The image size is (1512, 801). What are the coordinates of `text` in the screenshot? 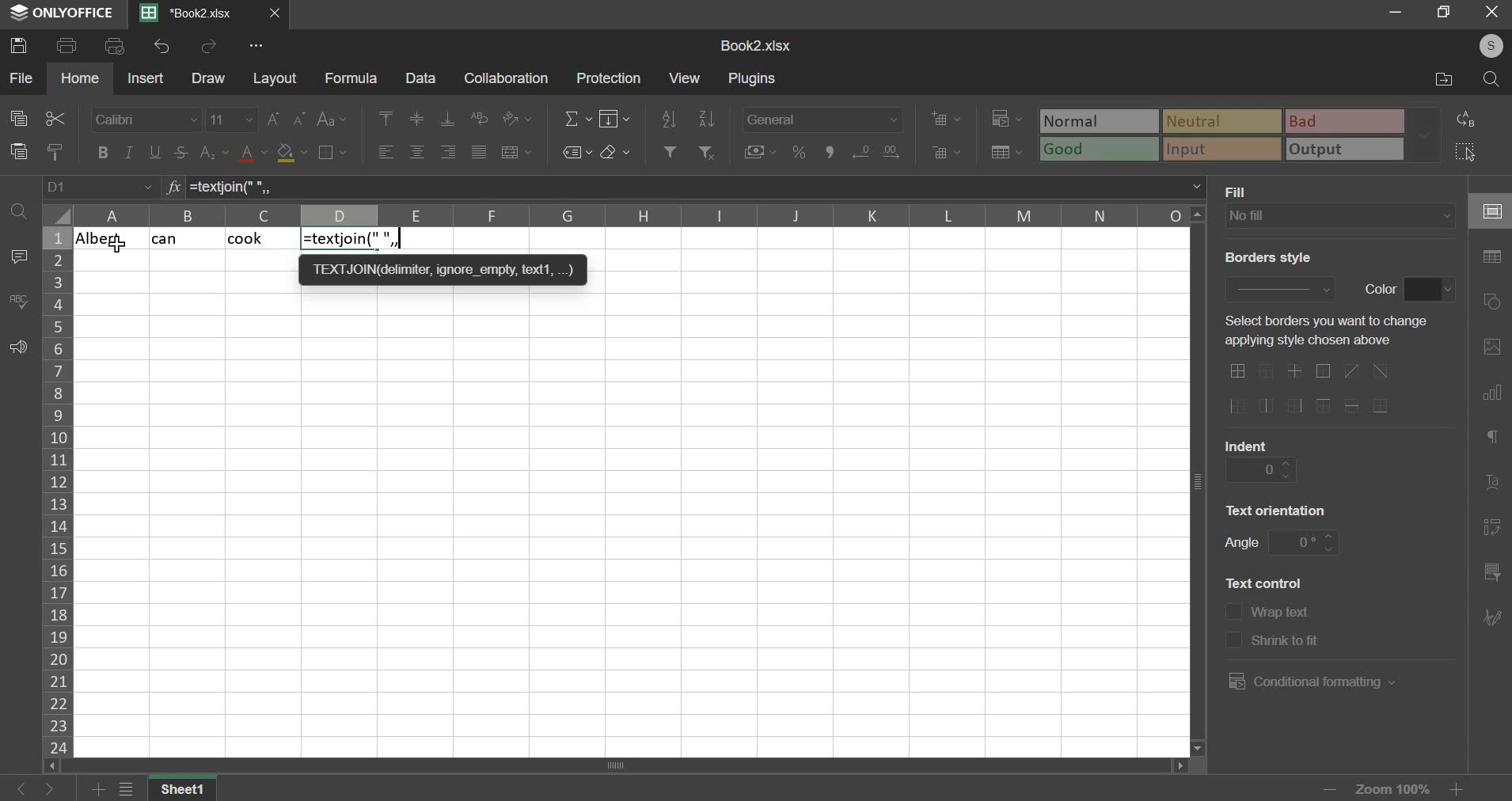 It's located at (1278, 509).